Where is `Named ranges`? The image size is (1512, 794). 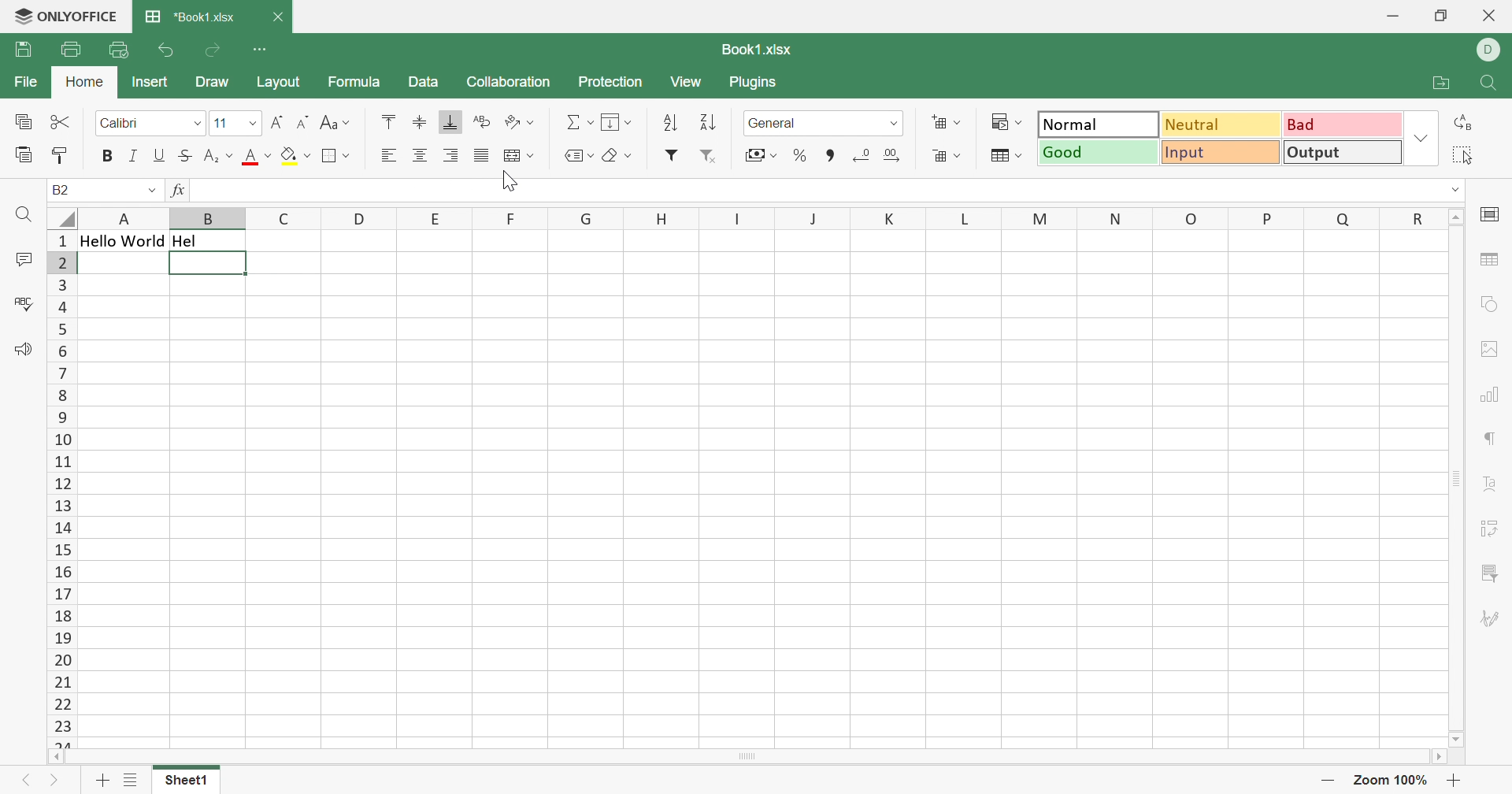 Named ranges is located at coordinates (579, 155).